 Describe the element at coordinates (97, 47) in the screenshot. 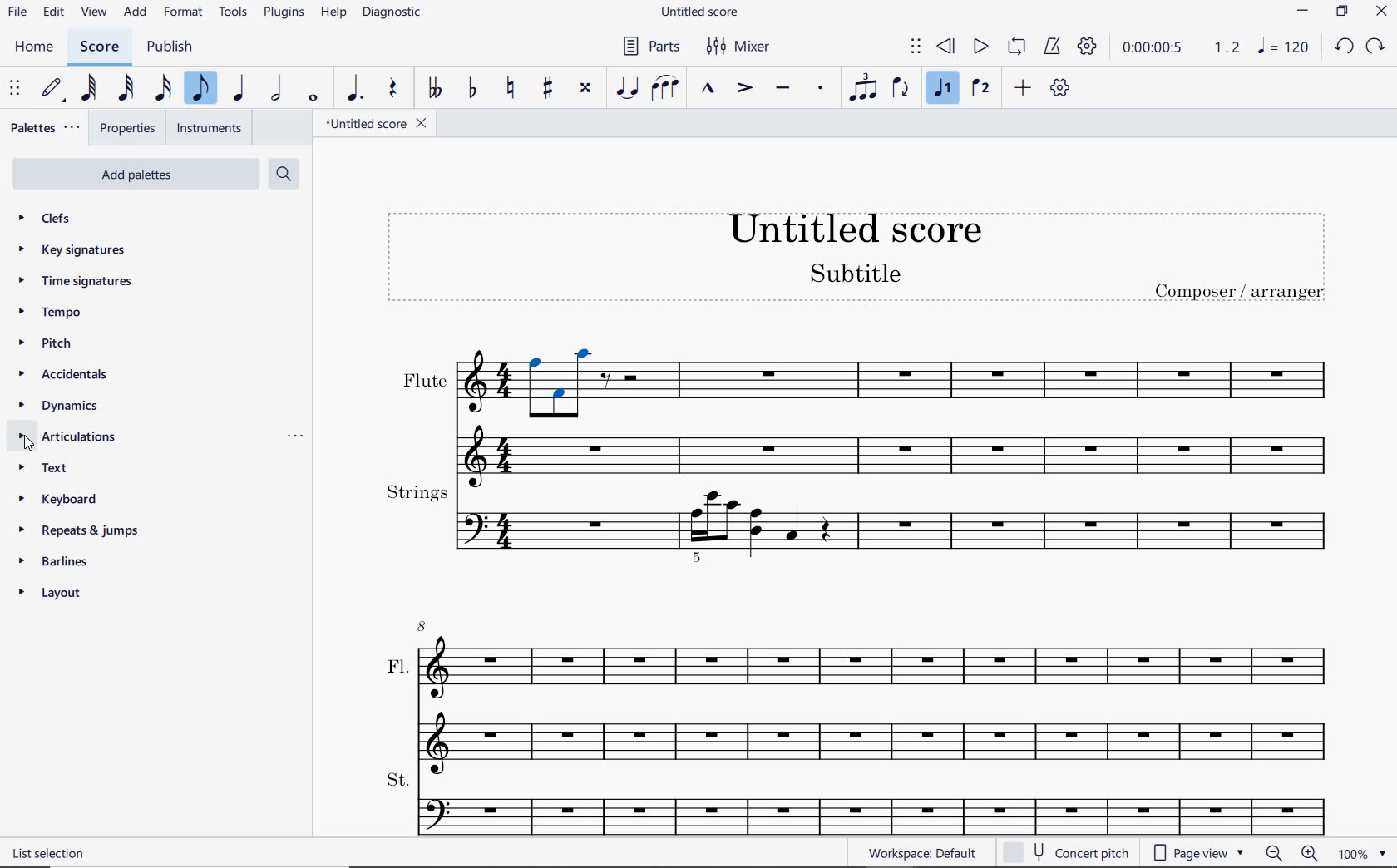

I see `score` at that location.